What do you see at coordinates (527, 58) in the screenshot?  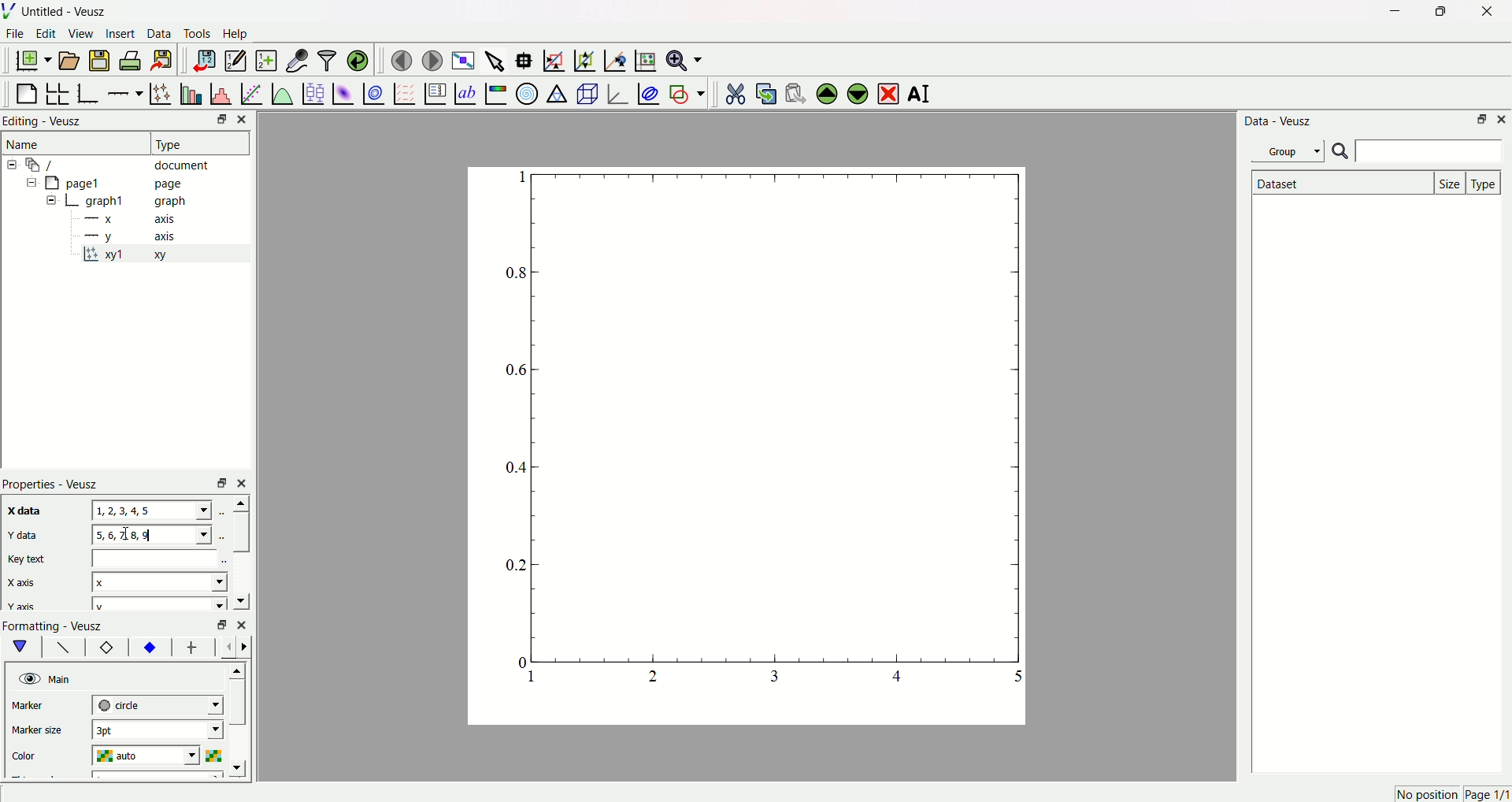 I see `read data points` at bounding box center [527, 58].